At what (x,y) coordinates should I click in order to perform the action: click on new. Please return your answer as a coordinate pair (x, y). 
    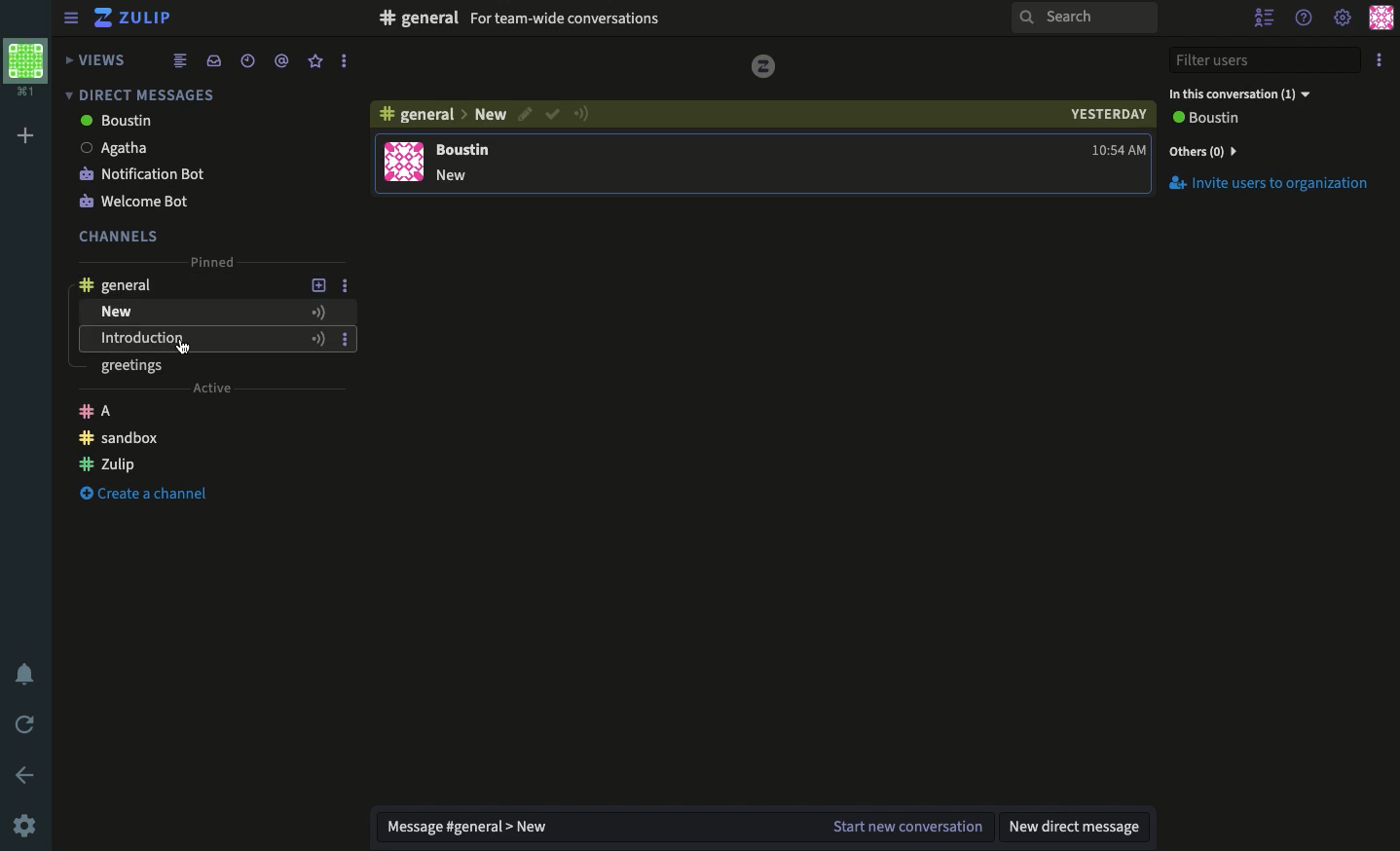
    Looking at the image, I should click on (453, 175).